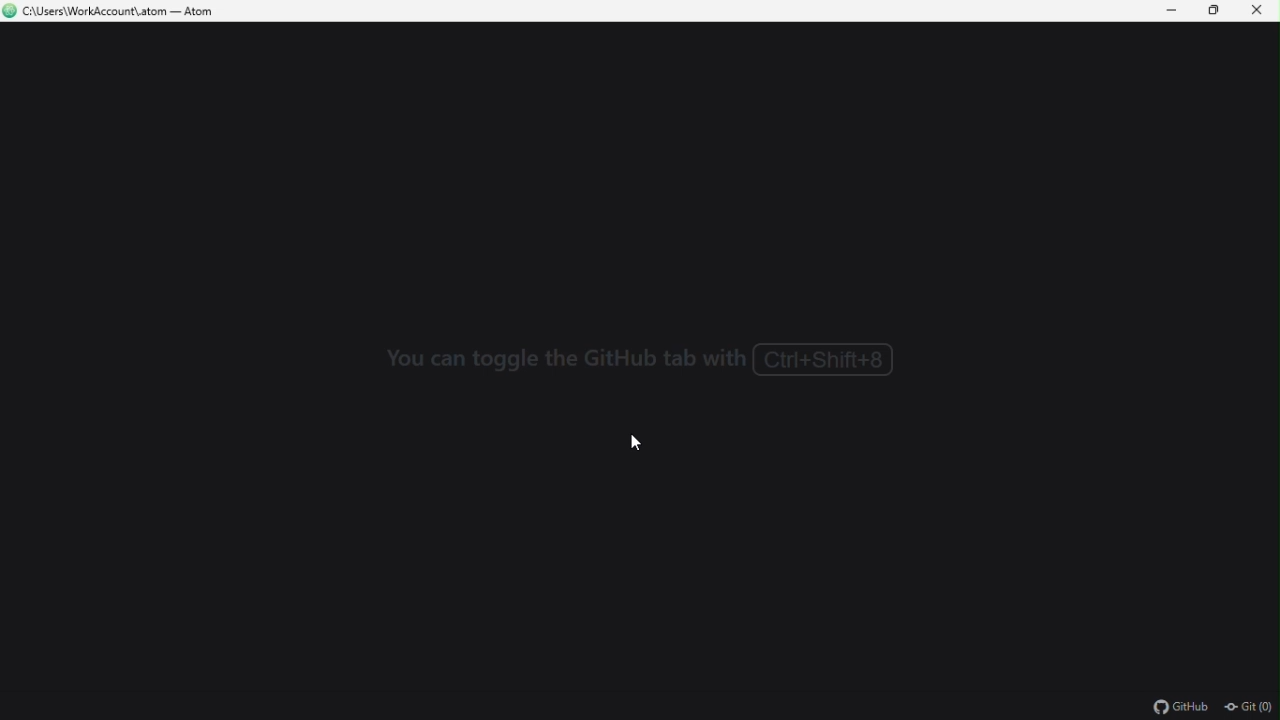 The height and width of the screenshot is (720, 1280). What do you see at coordinates (1250, 708) in the screenshot?
I see `git` at bounding box center [1250, 708].